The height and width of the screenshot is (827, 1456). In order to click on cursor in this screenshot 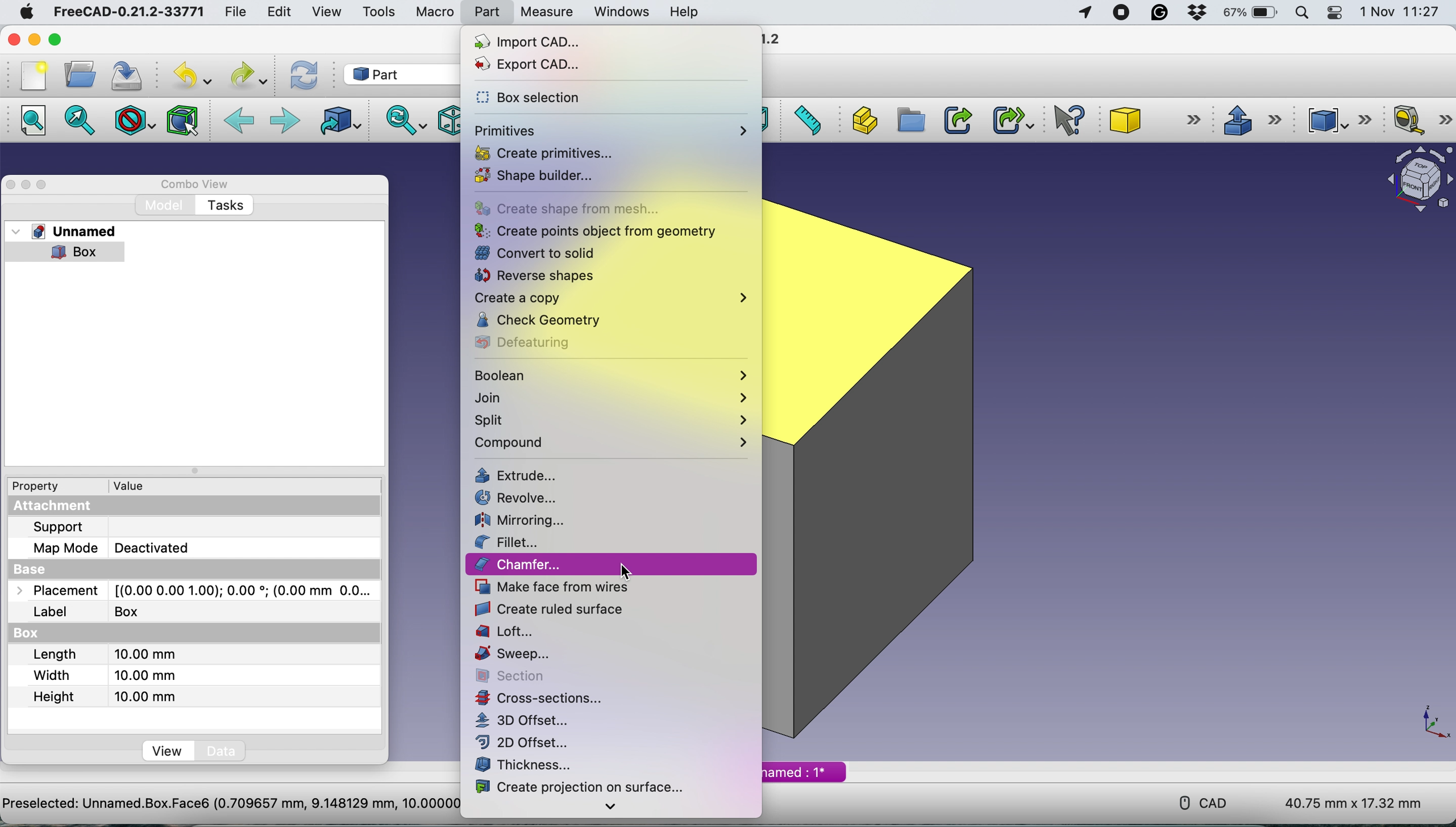, I will do `click(628, 572)`.